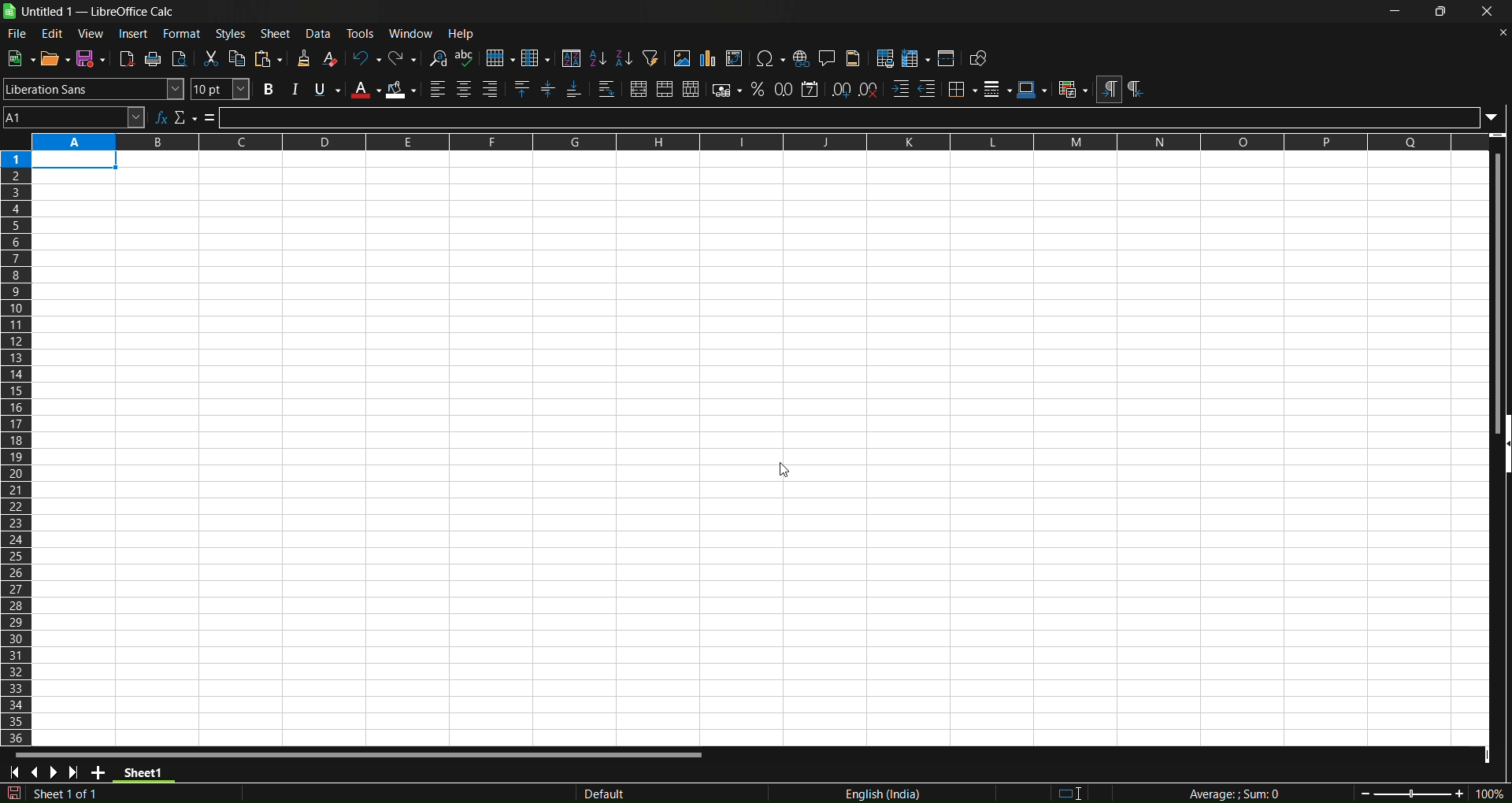 This screenshot has width=1512, height=803. What do you see at coordinates (365, 89) in the screenshot?
I see `font color` at bounding box center [365, 89].